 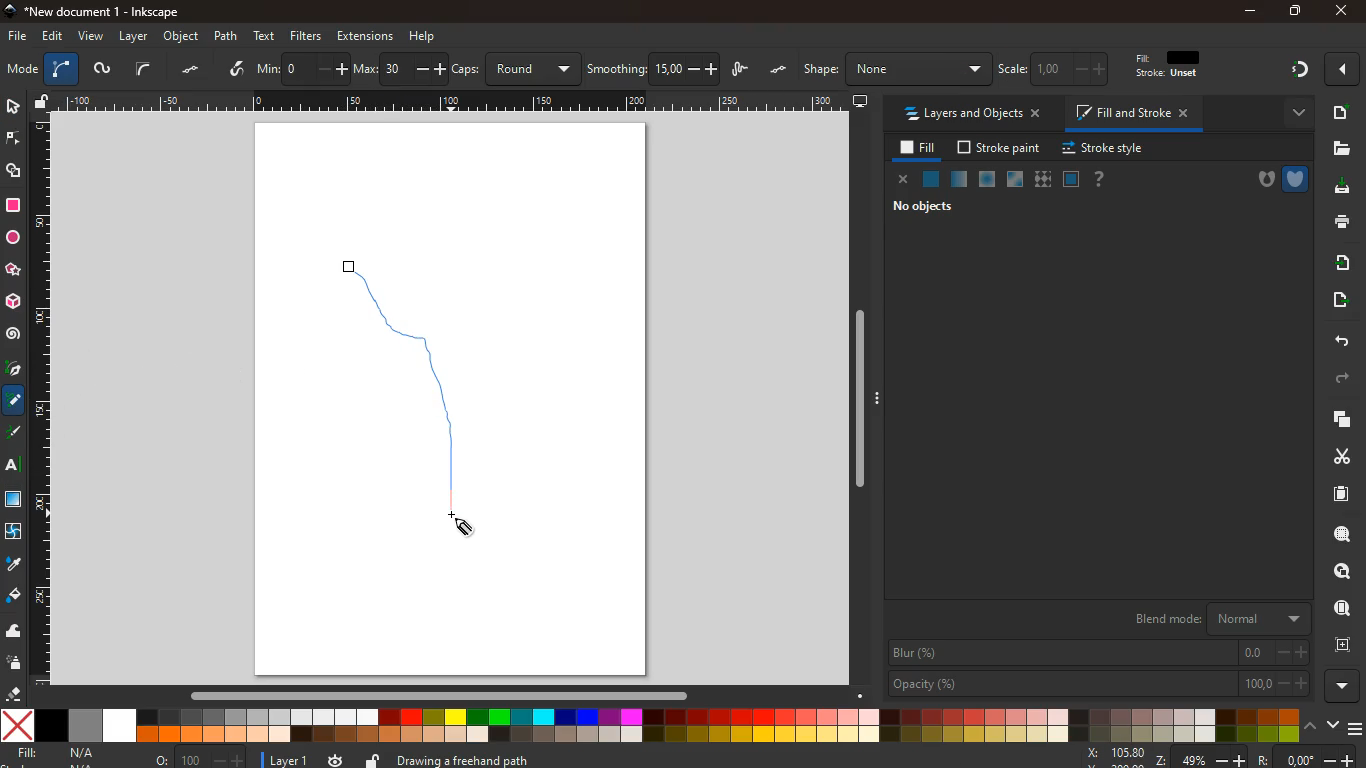 What do you see at coordinates (190, 71) in the screenshot?
I see `tilt` at bounding box center [190, 71].